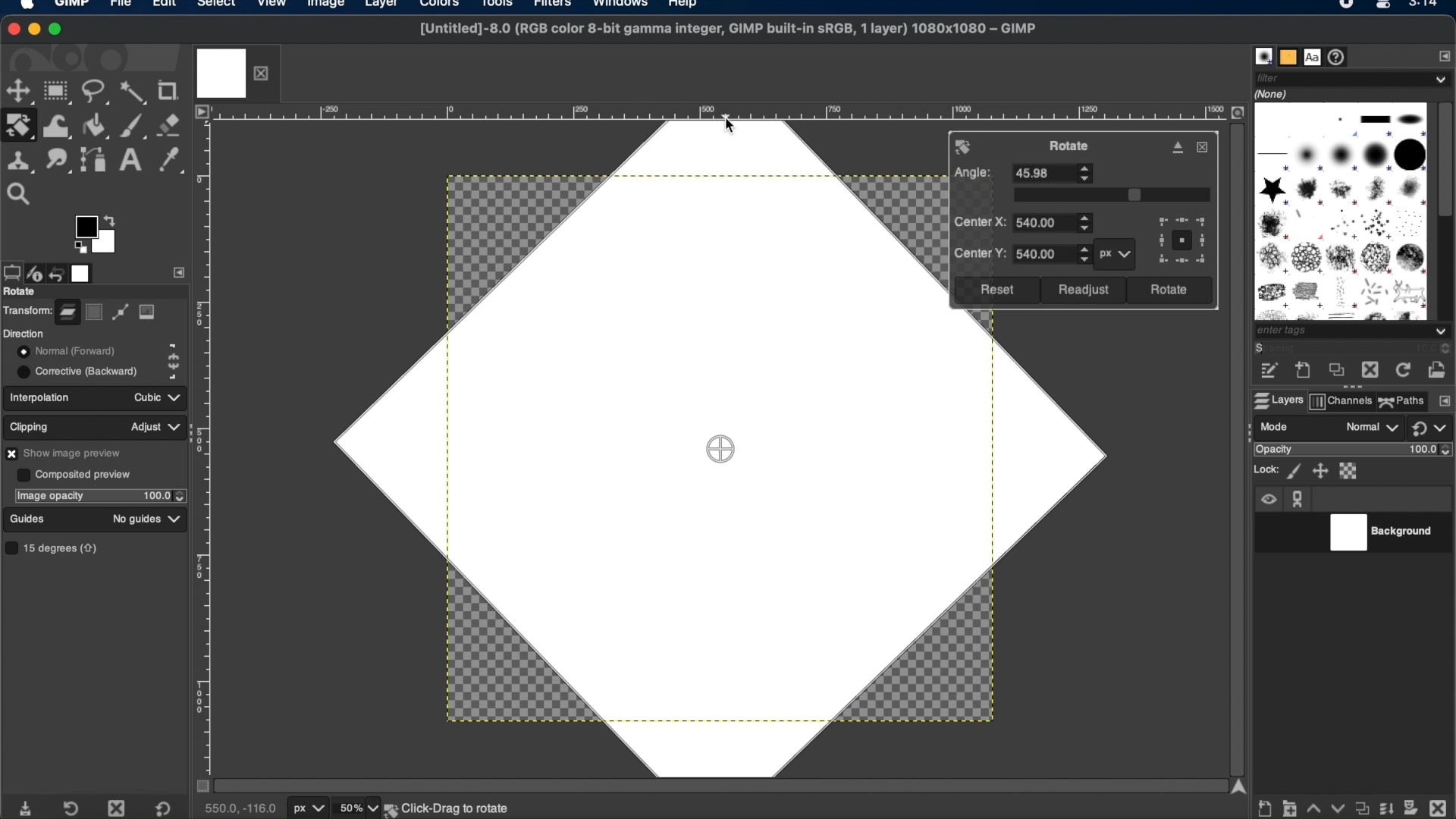 The height and width of the screenshot is (819, 1456). Describe the element at coordinates (1370, 428) in the screenshot. I see `normal drop down` at that location.